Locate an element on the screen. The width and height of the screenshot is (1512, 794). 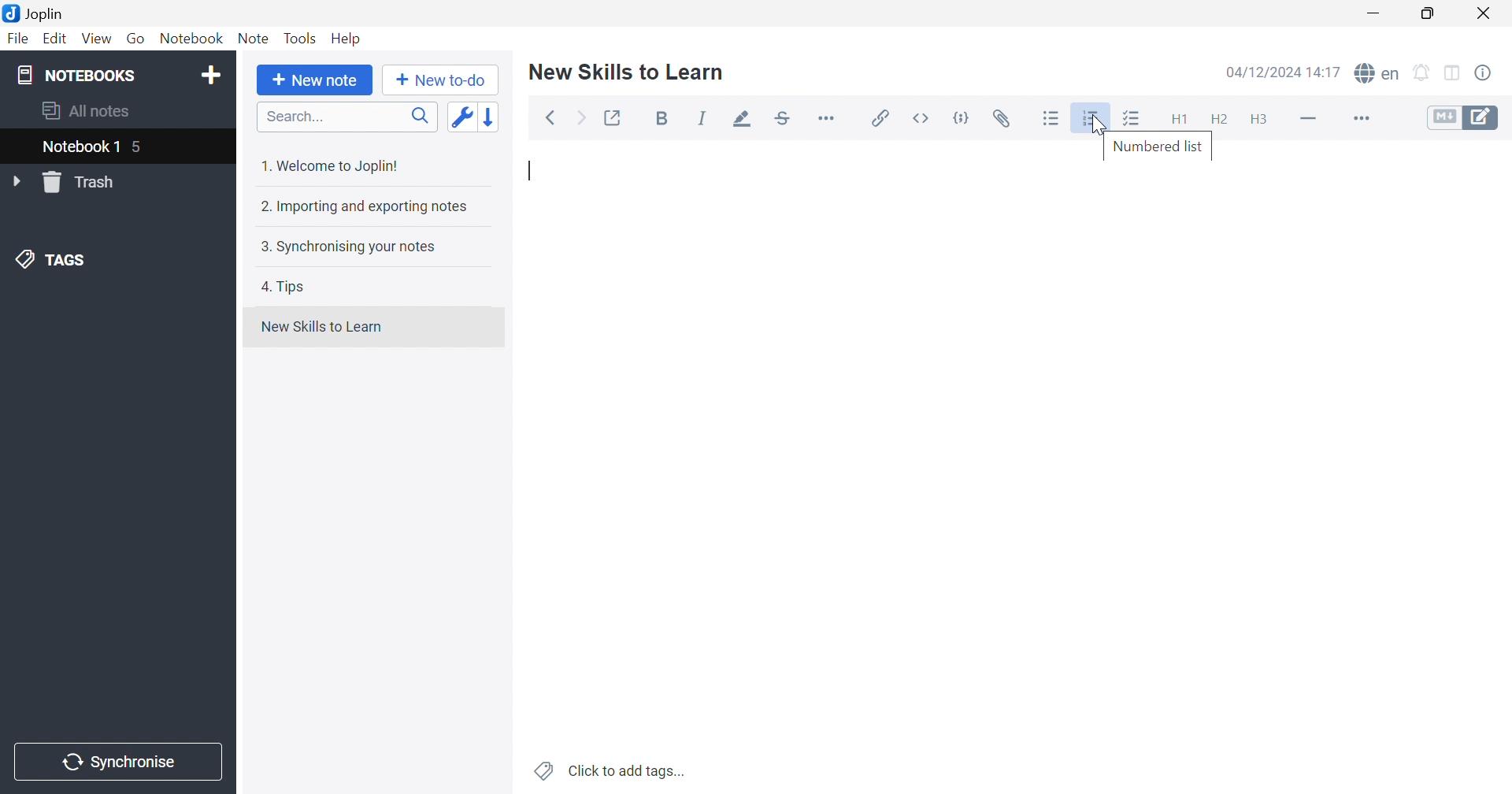
Note is located at coordinates (254, 39).